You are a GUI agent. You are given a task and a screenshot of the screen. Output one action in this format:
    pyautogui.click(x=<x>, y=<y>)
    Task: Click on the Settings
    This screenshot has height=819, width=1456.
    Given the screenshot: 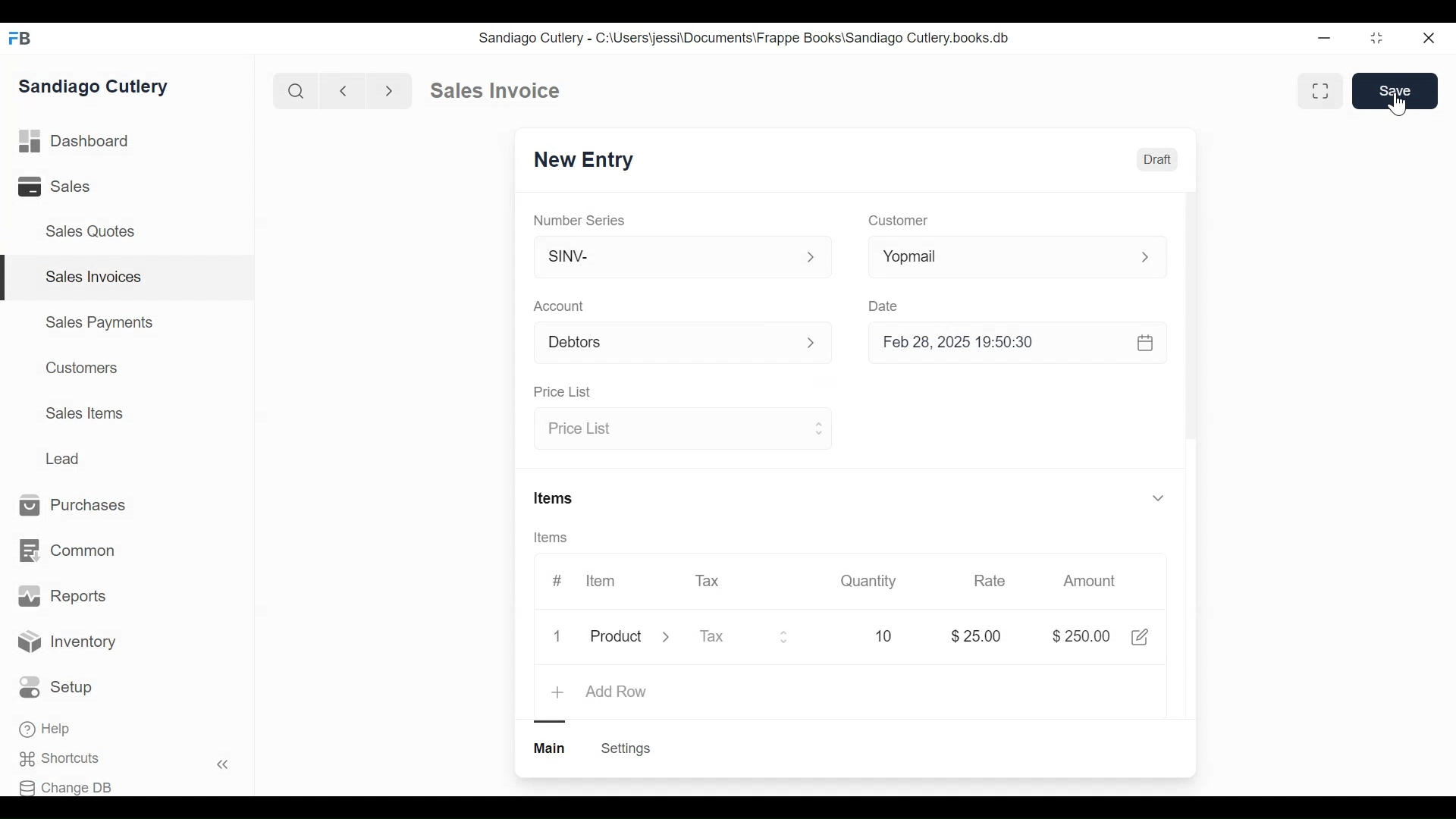 What is the action you would take?
    pyautogui.click(x=628, y=748)
    